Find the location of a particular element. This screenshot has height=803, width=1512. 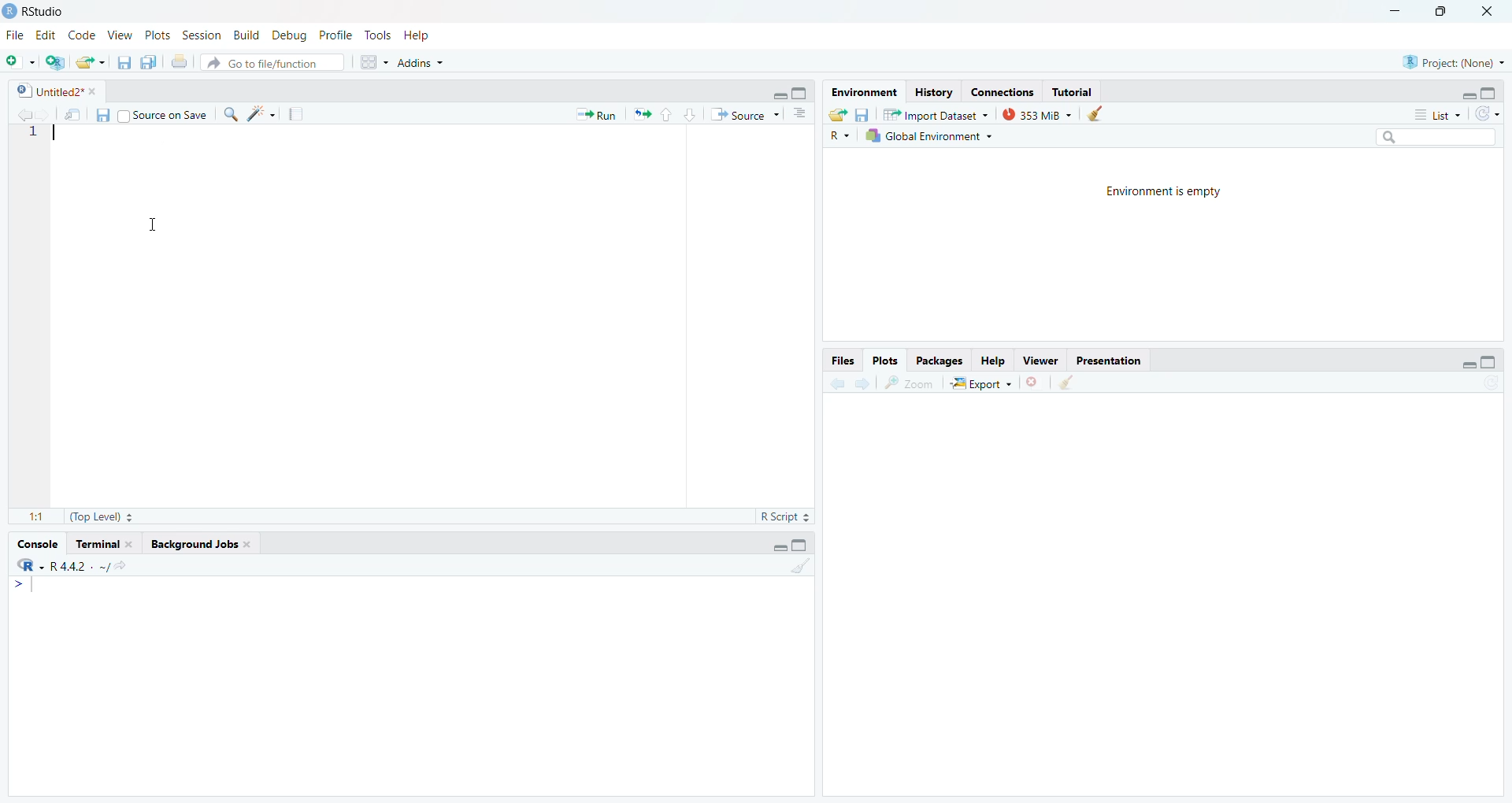

R~ is located at coordinates (838, 136).